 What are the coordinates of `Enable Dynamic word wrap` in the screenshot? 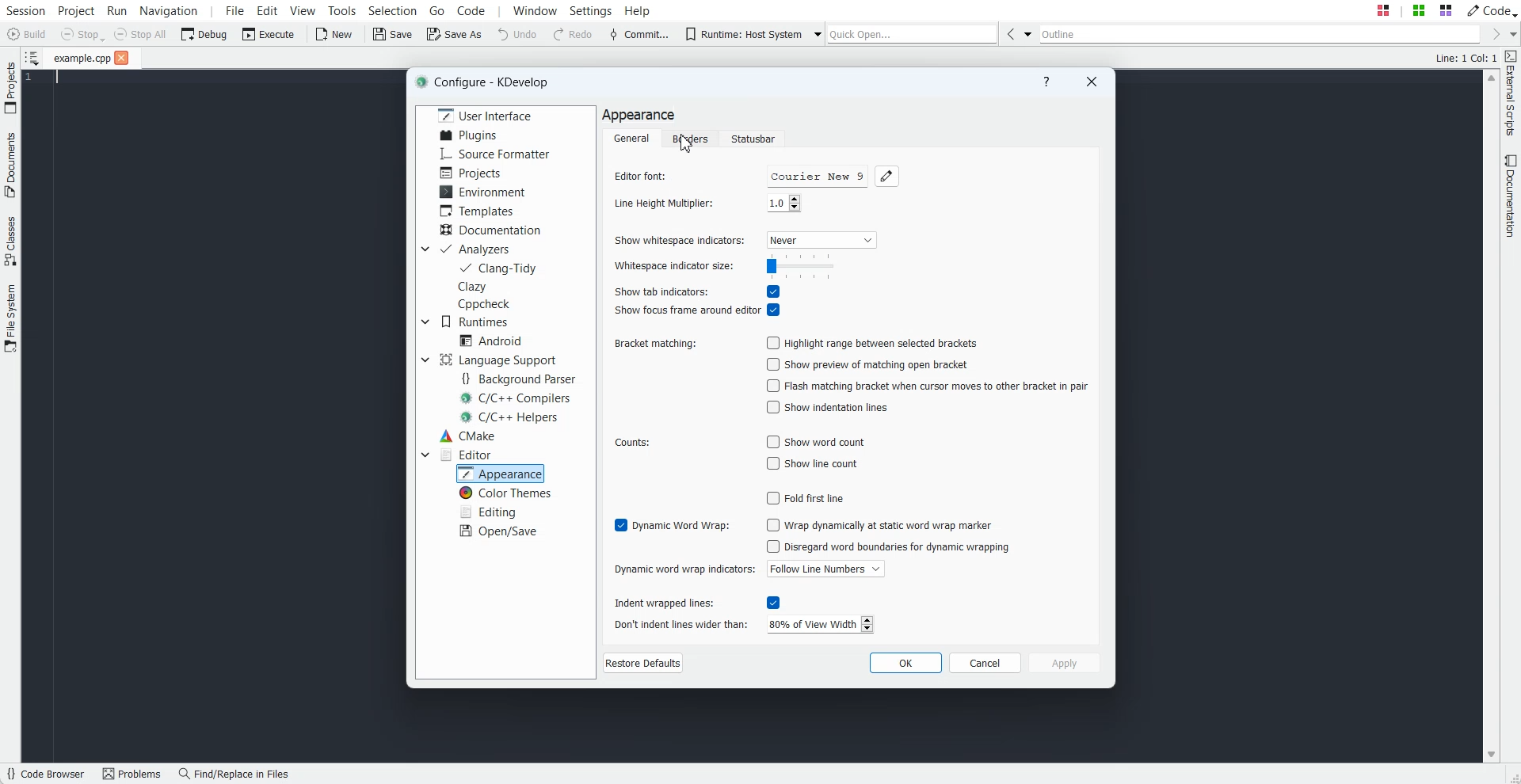 It's located at (674, 525).